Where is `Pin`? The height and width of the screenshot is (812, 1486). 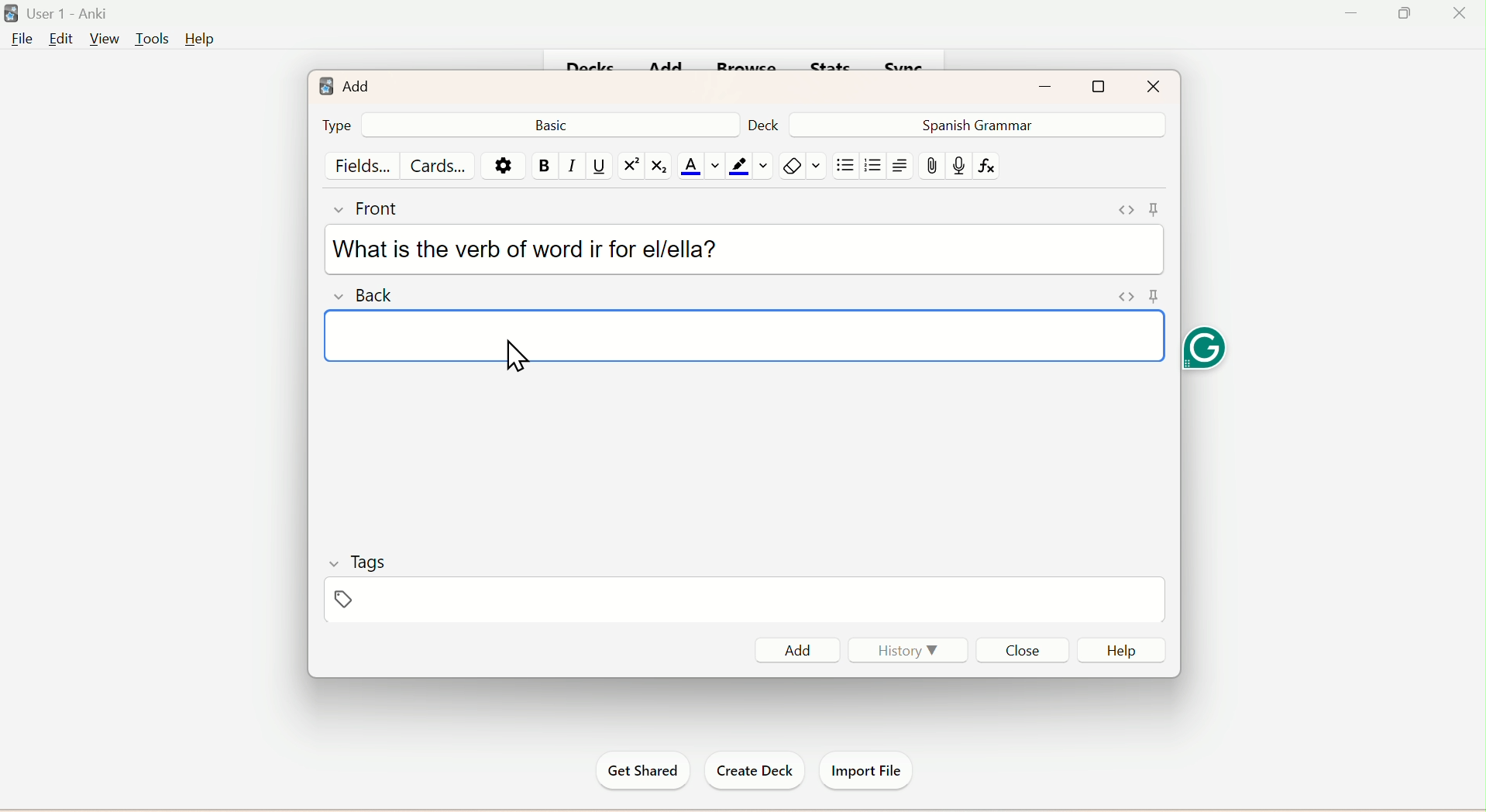 Pin is located at coordinates (1132, 299).